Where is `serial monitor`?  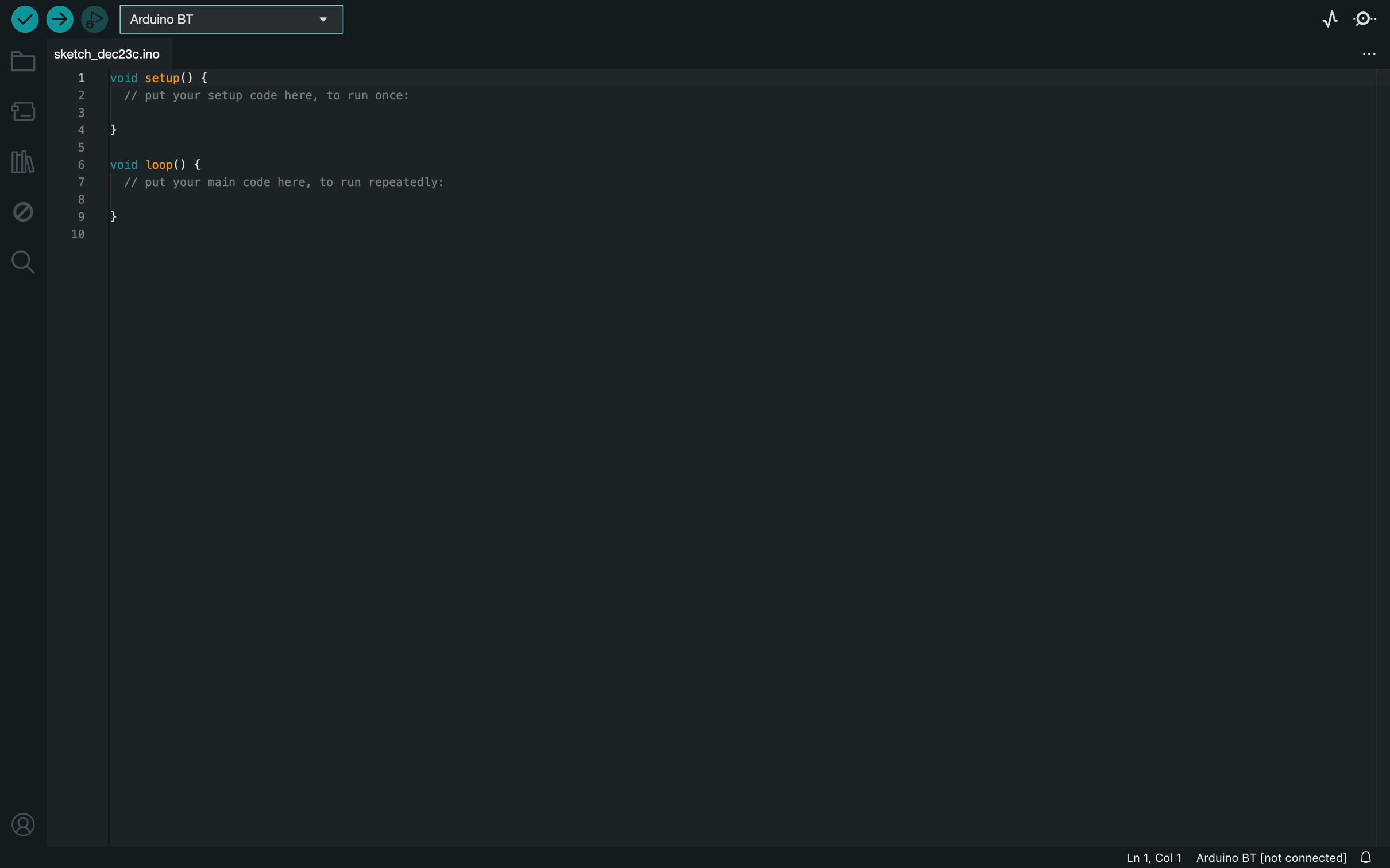 serial monitor is located at coordinates (1368, 18).